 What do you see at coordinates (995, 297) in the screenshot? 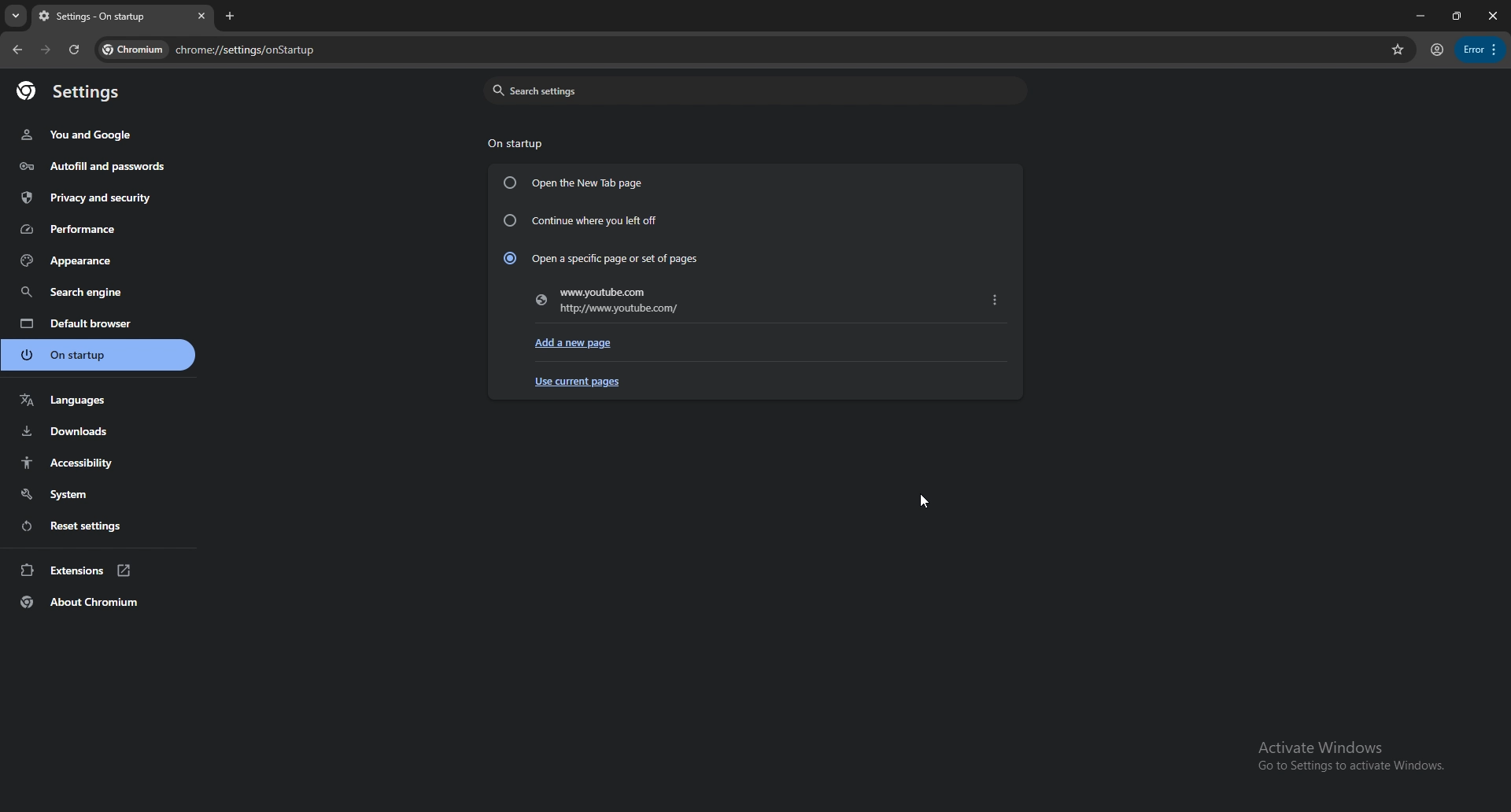
I see `options` at bounding box center [995, 297].